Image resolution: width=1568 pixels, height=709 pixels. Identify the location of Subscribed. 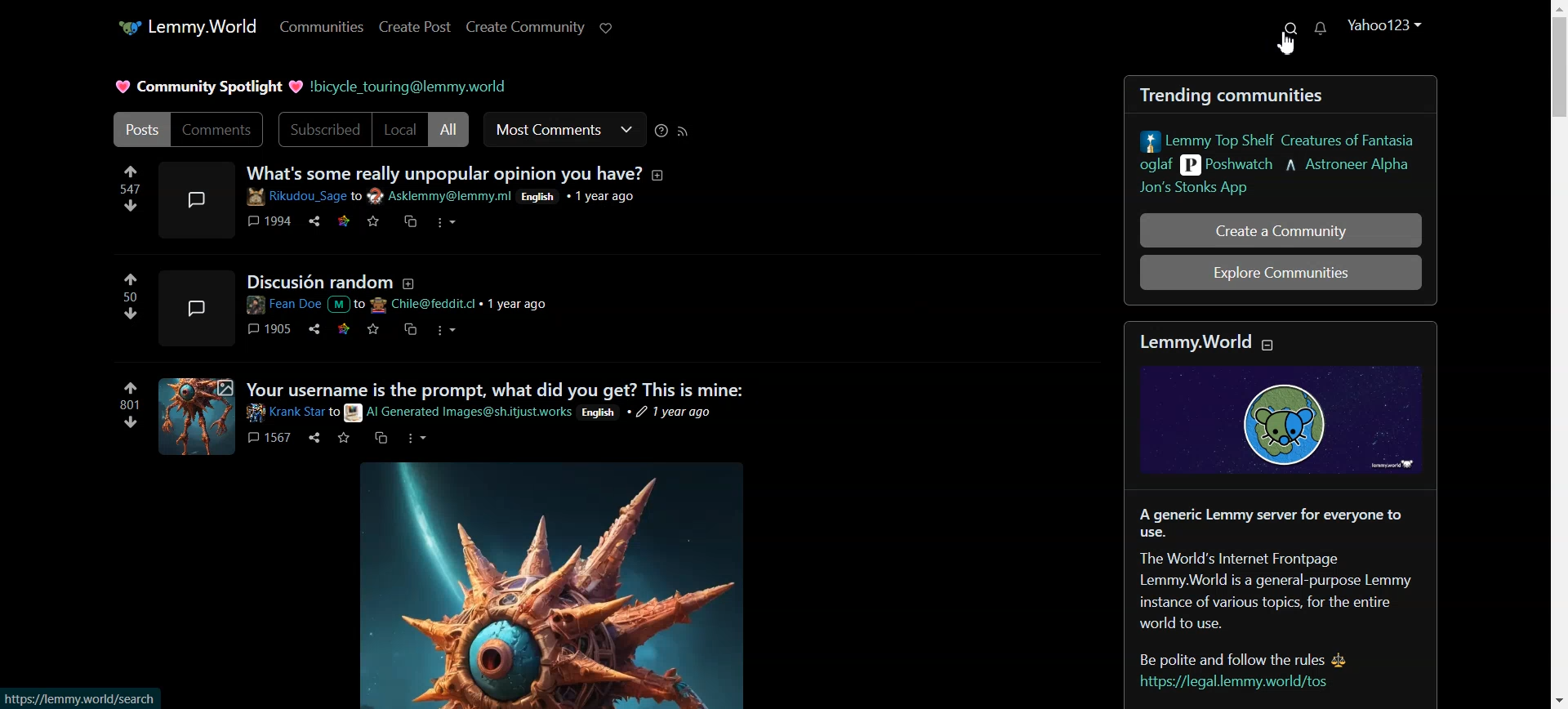
(323, 129).